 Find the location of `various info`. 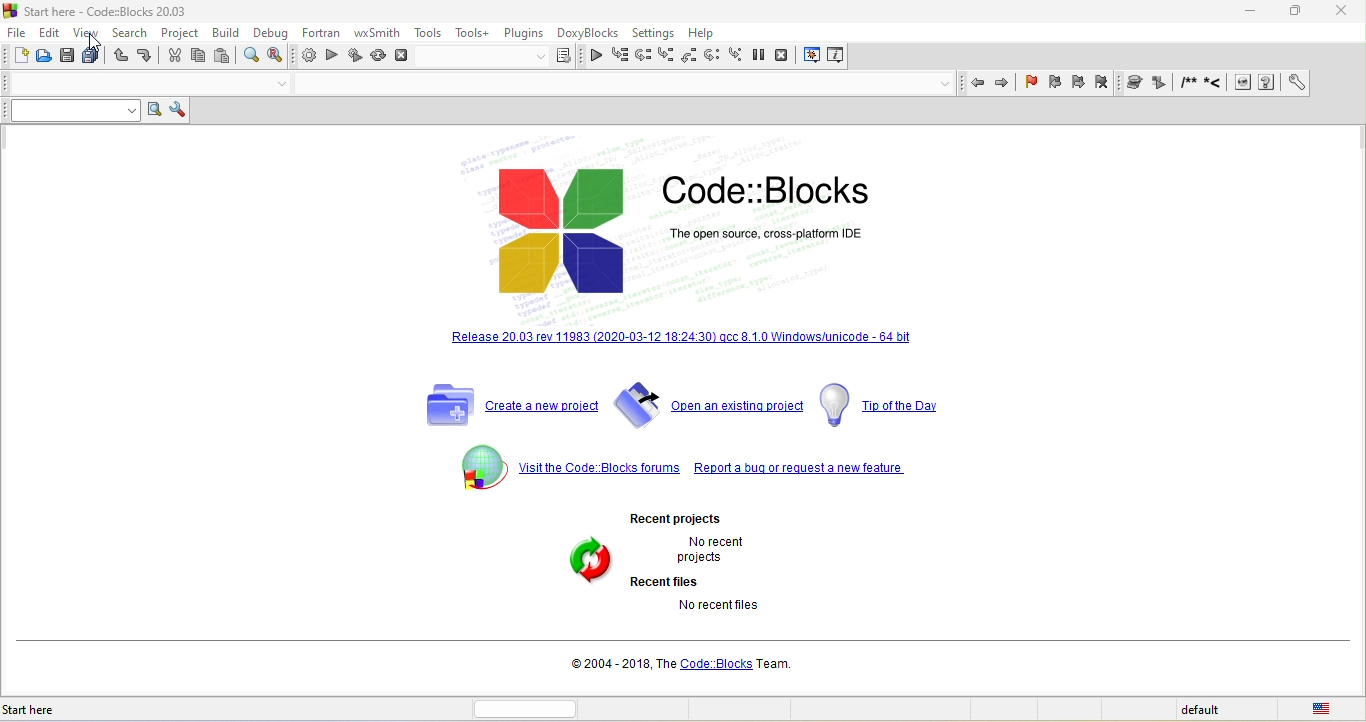

various info is located at coordinates (839, 55).